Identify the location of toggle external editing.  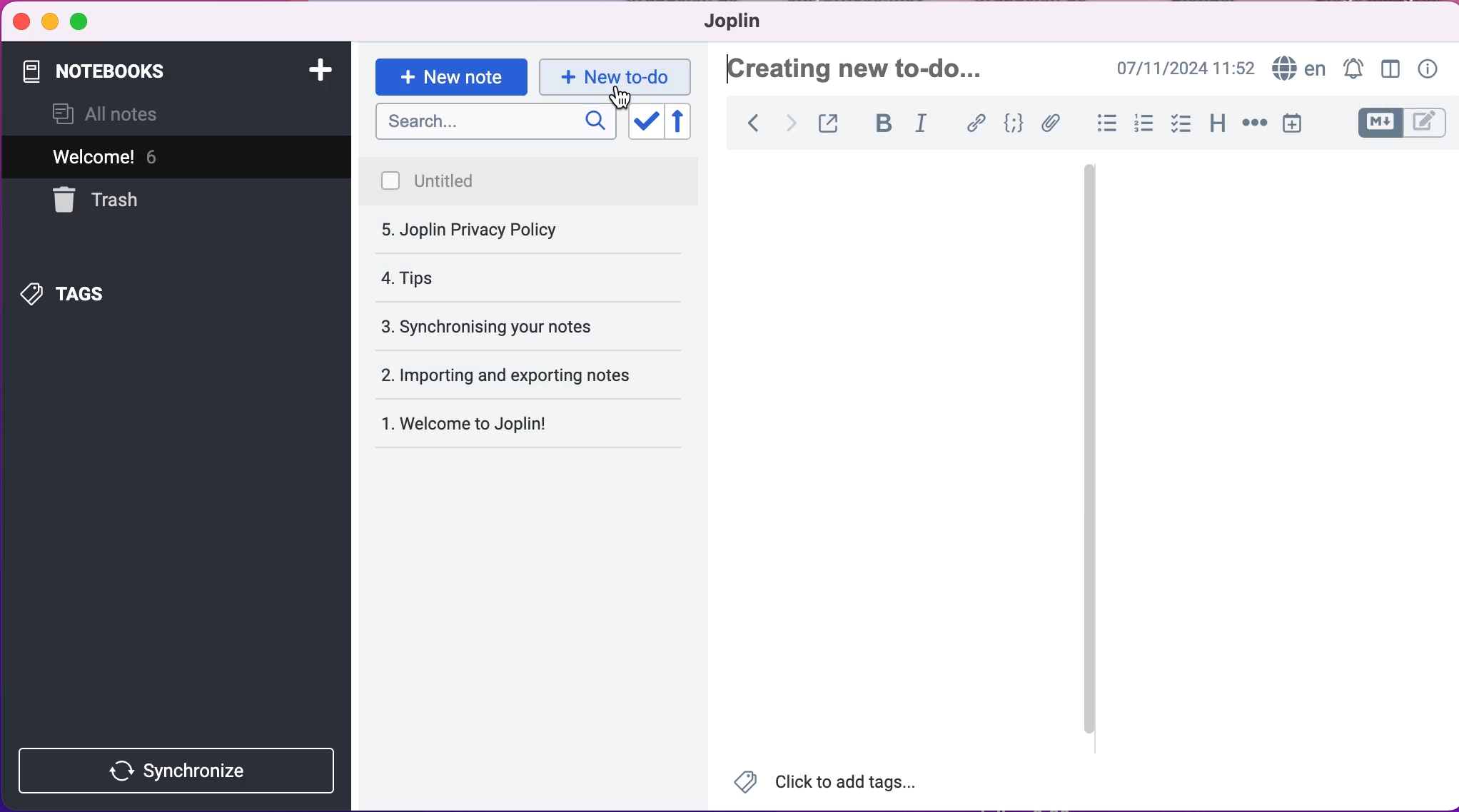
(829, 126).